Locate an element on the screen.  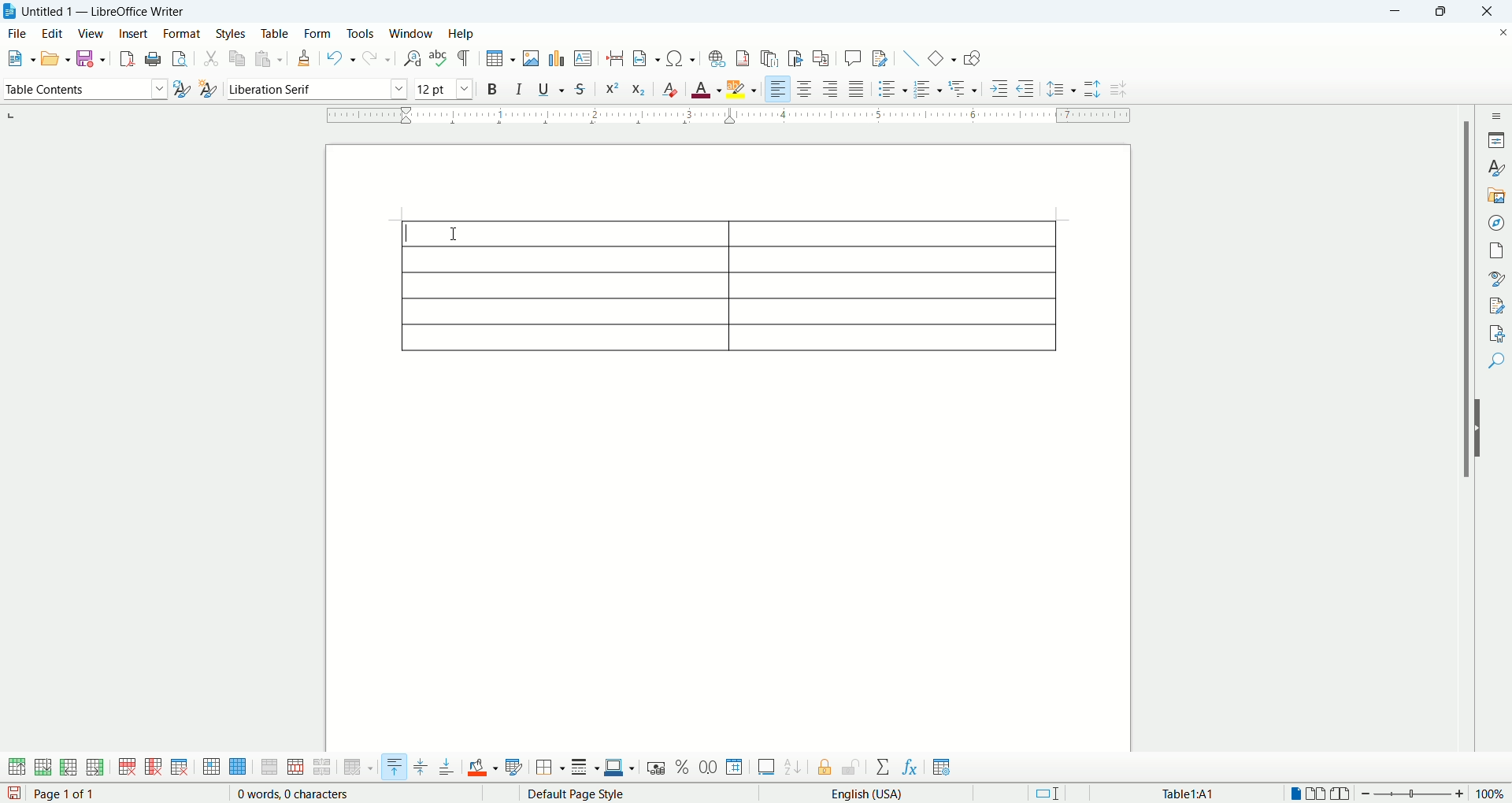
number format is located at coordinates (736, 766).